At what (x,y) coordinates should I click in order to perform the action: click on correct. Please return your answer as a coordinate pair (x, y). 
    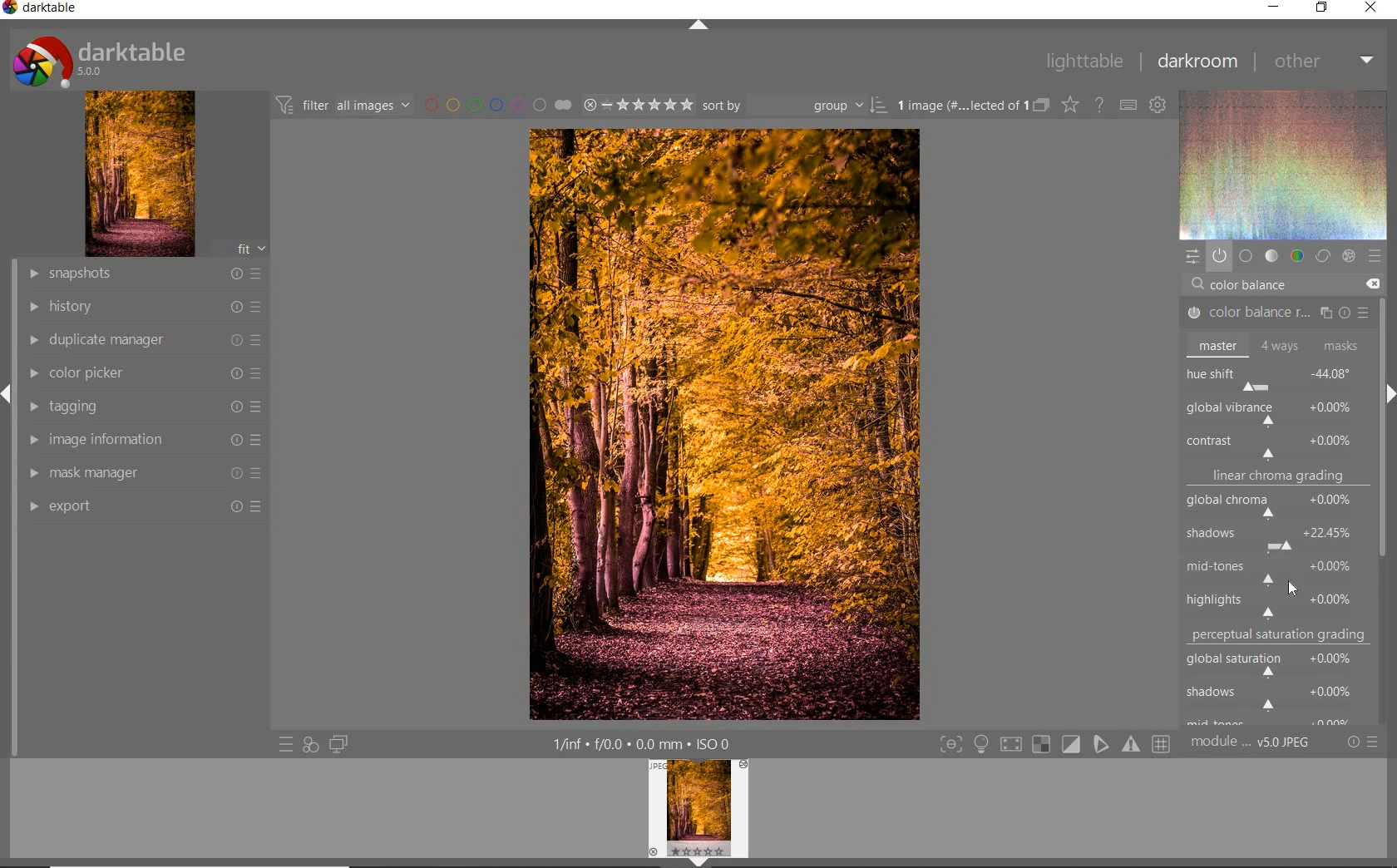
    Looking at the image, I should click on (1322, 257).